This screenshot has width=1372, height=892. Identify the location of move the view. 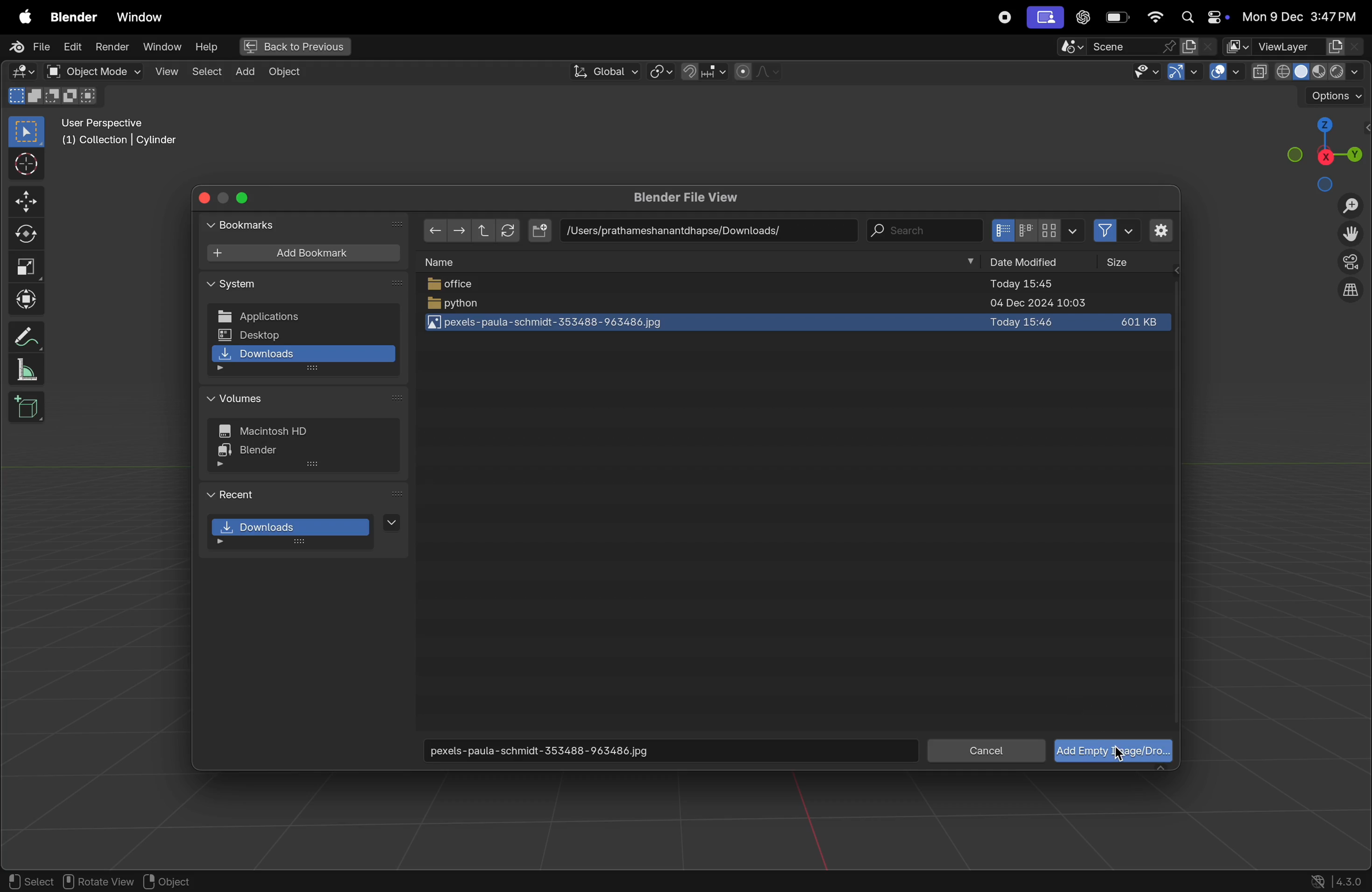
(1353, 235).